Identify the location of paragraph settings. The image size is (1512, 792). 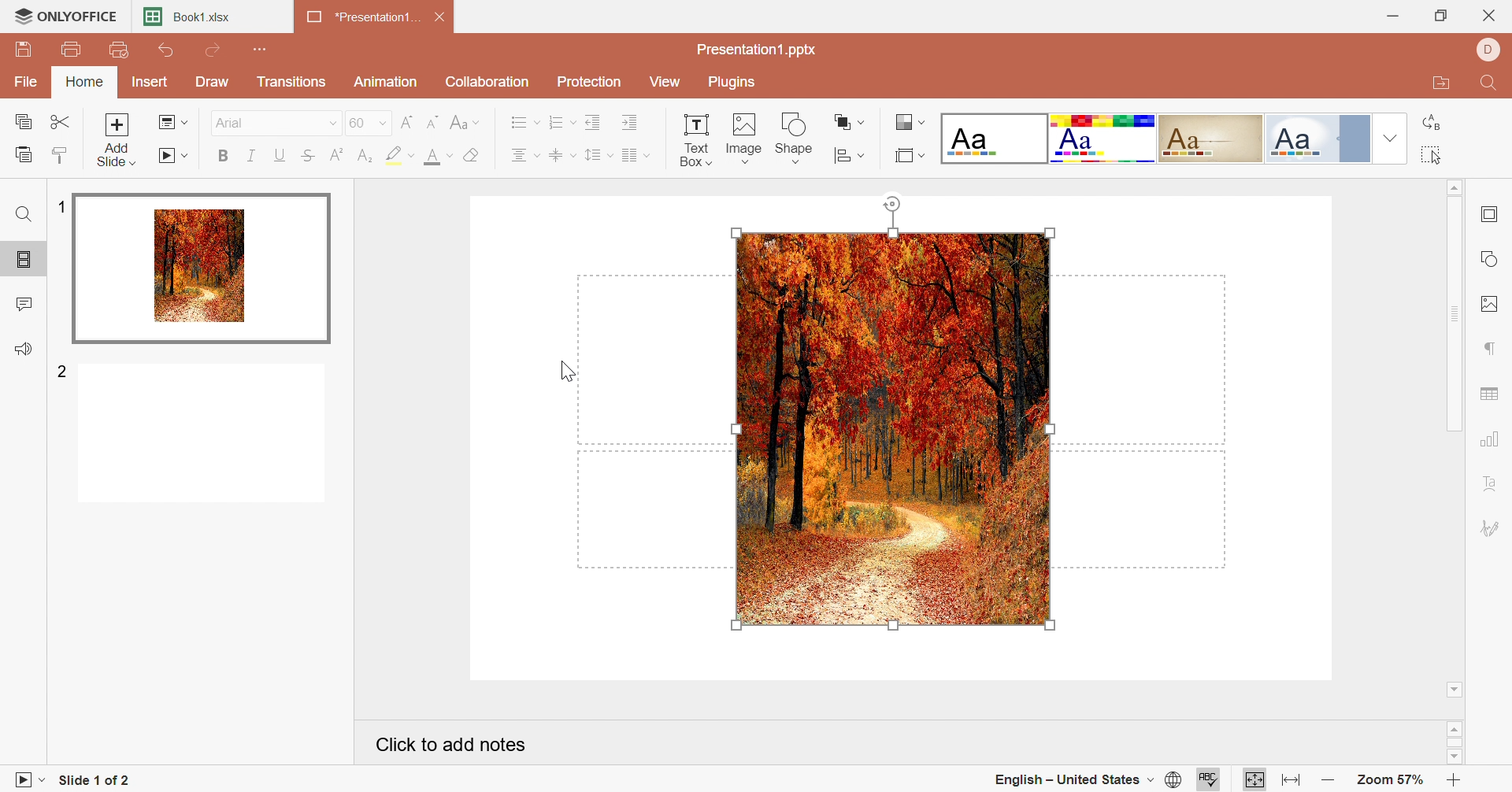
(1491, 347).